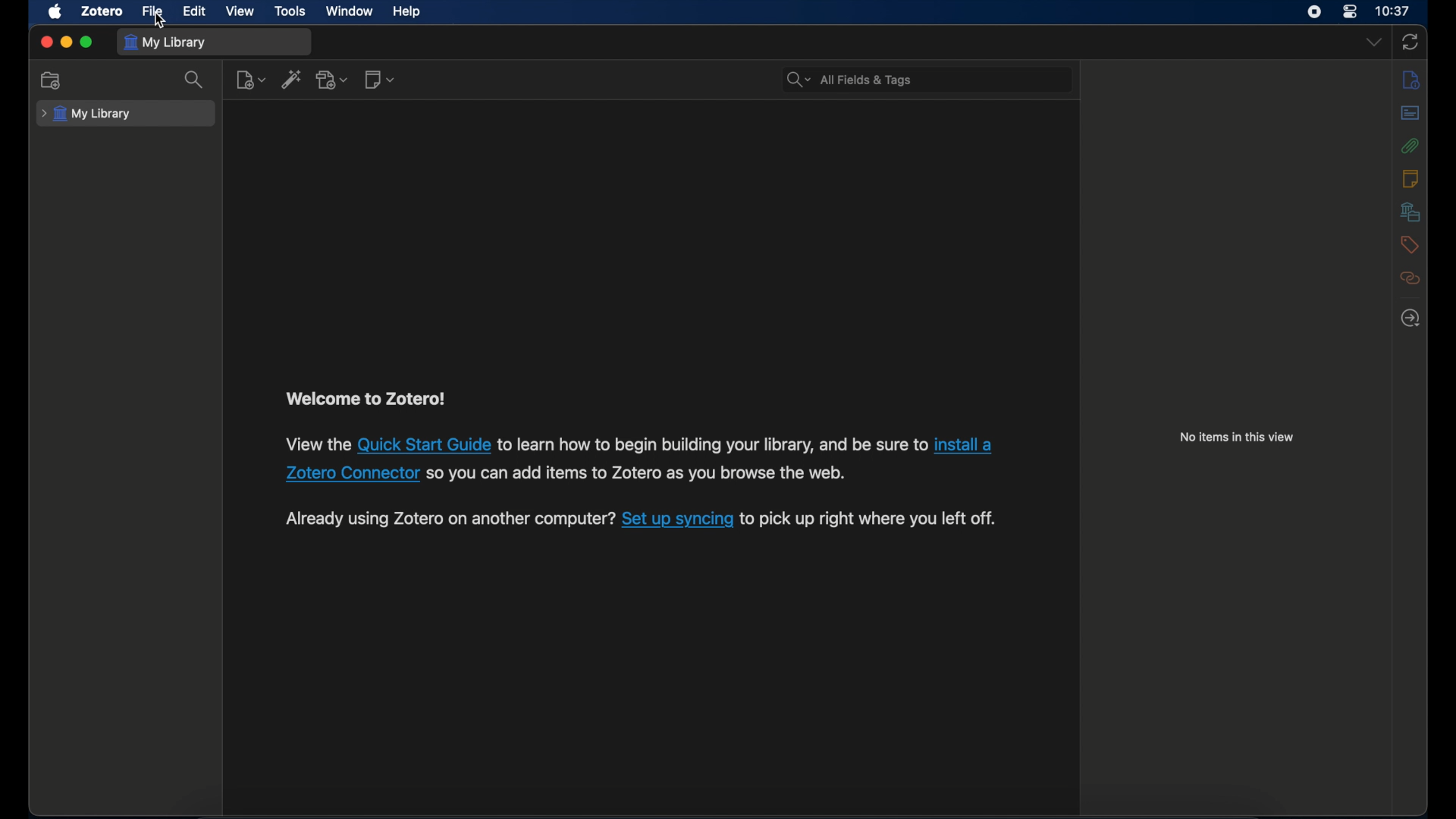 The width and height of the screenshot is (1456, 819). I want to click on file, so click(153, 12).